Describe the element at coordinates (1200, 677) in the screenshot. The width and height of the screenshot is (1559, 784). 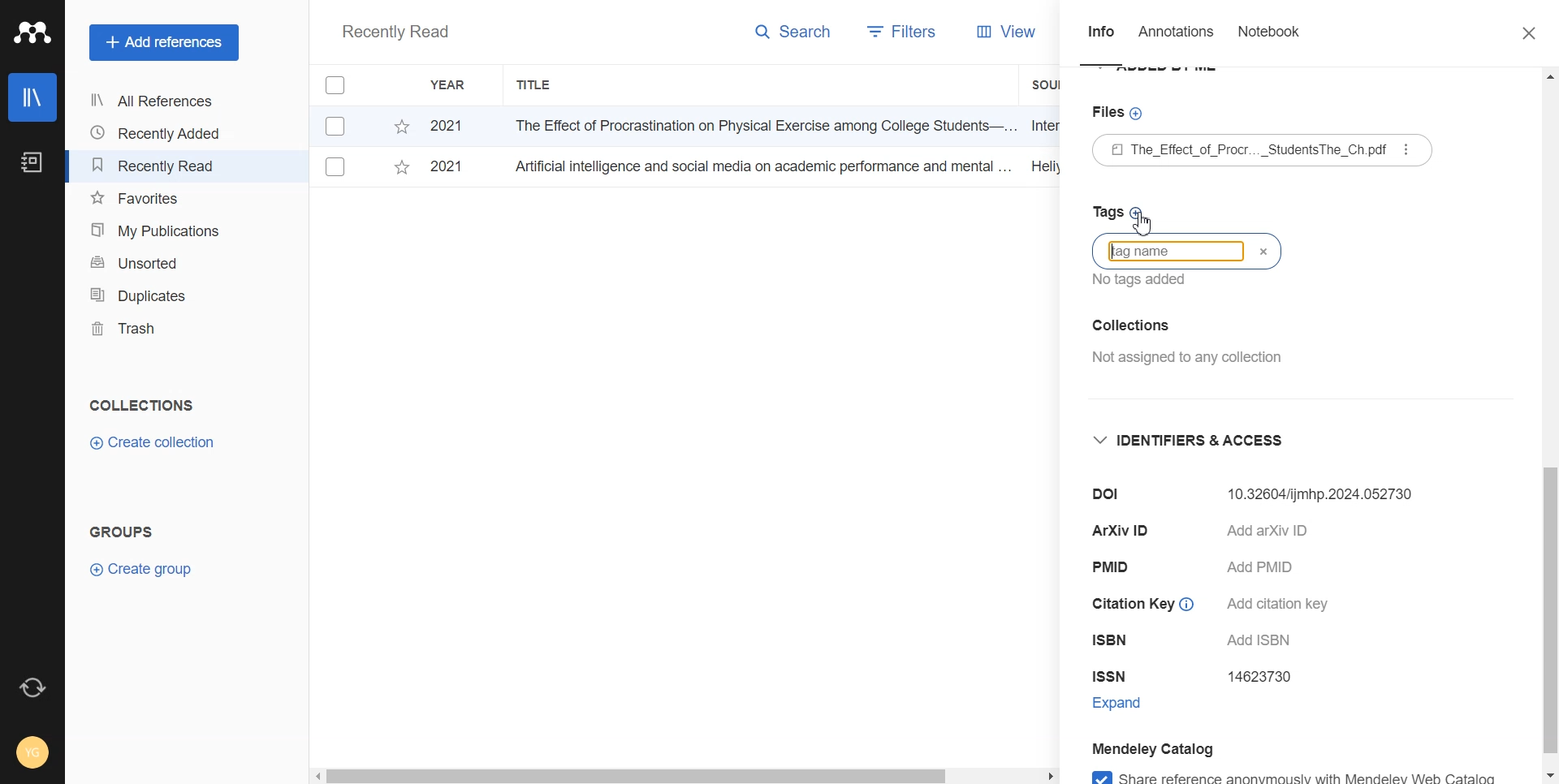
I see `ISSN 14623730` at that location.